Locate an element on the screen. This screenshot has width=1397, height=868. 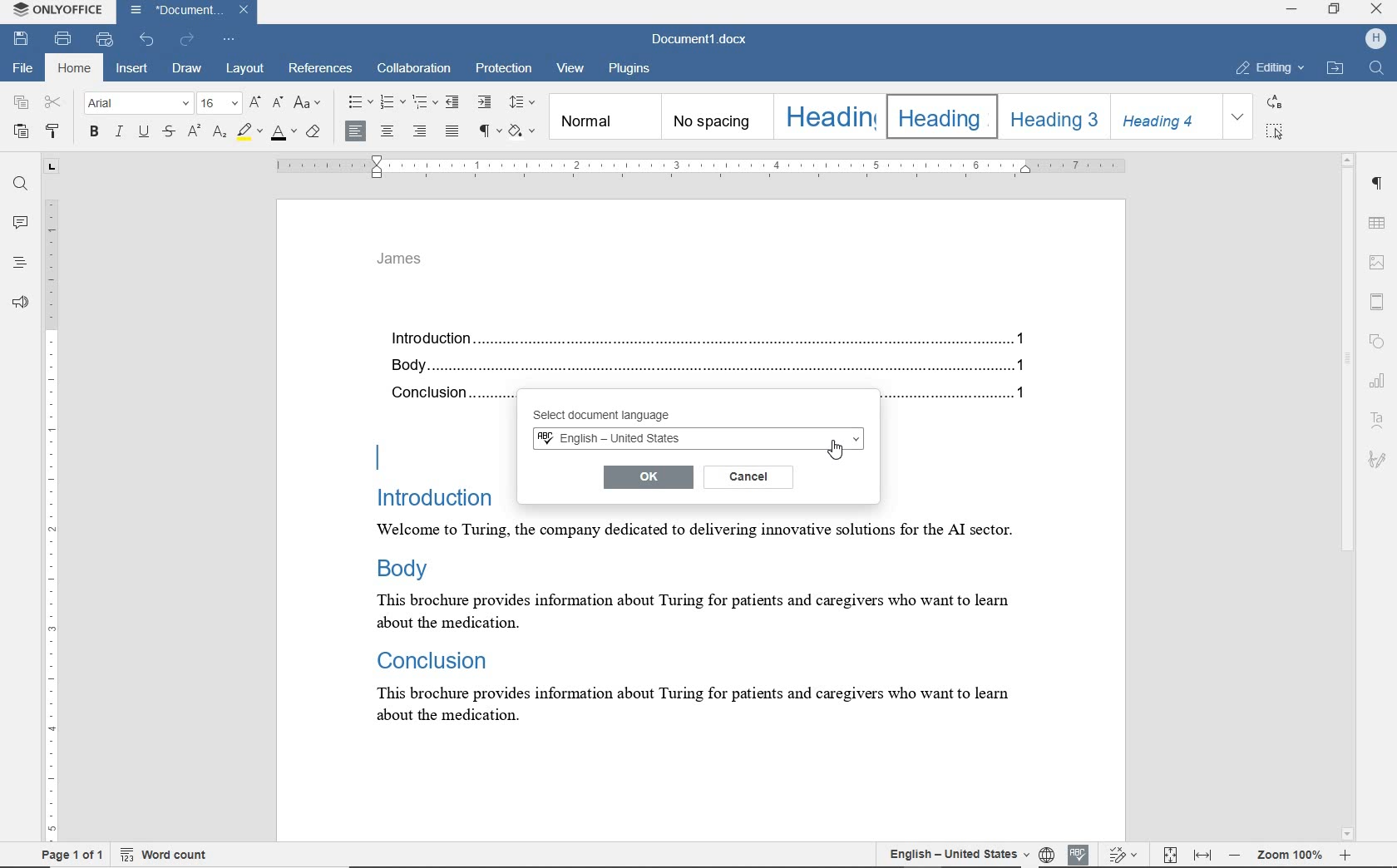
copy style is located at coordinates (57, 133).